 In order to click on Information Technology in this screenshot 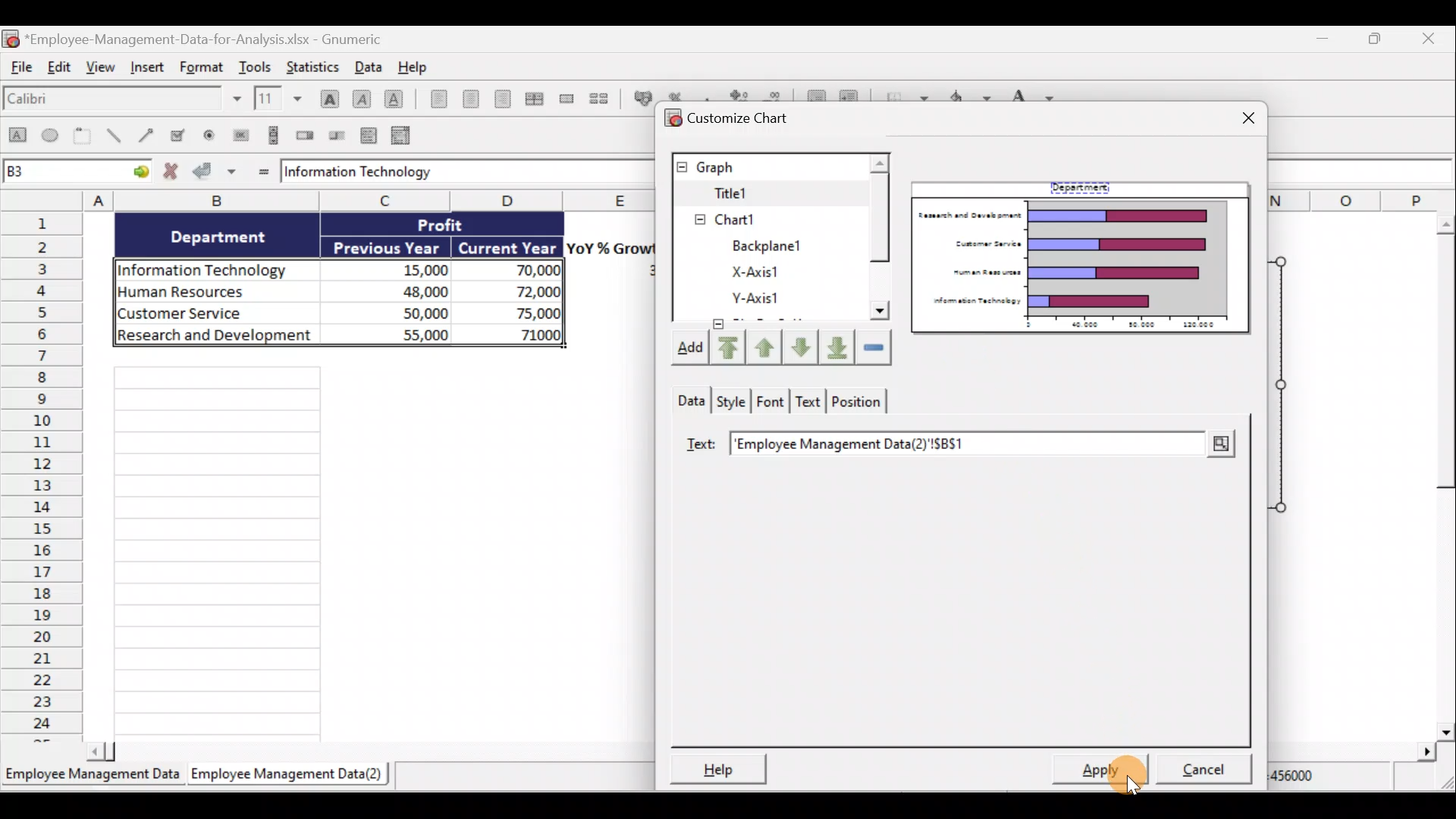, I will do `click(451, 173)`.